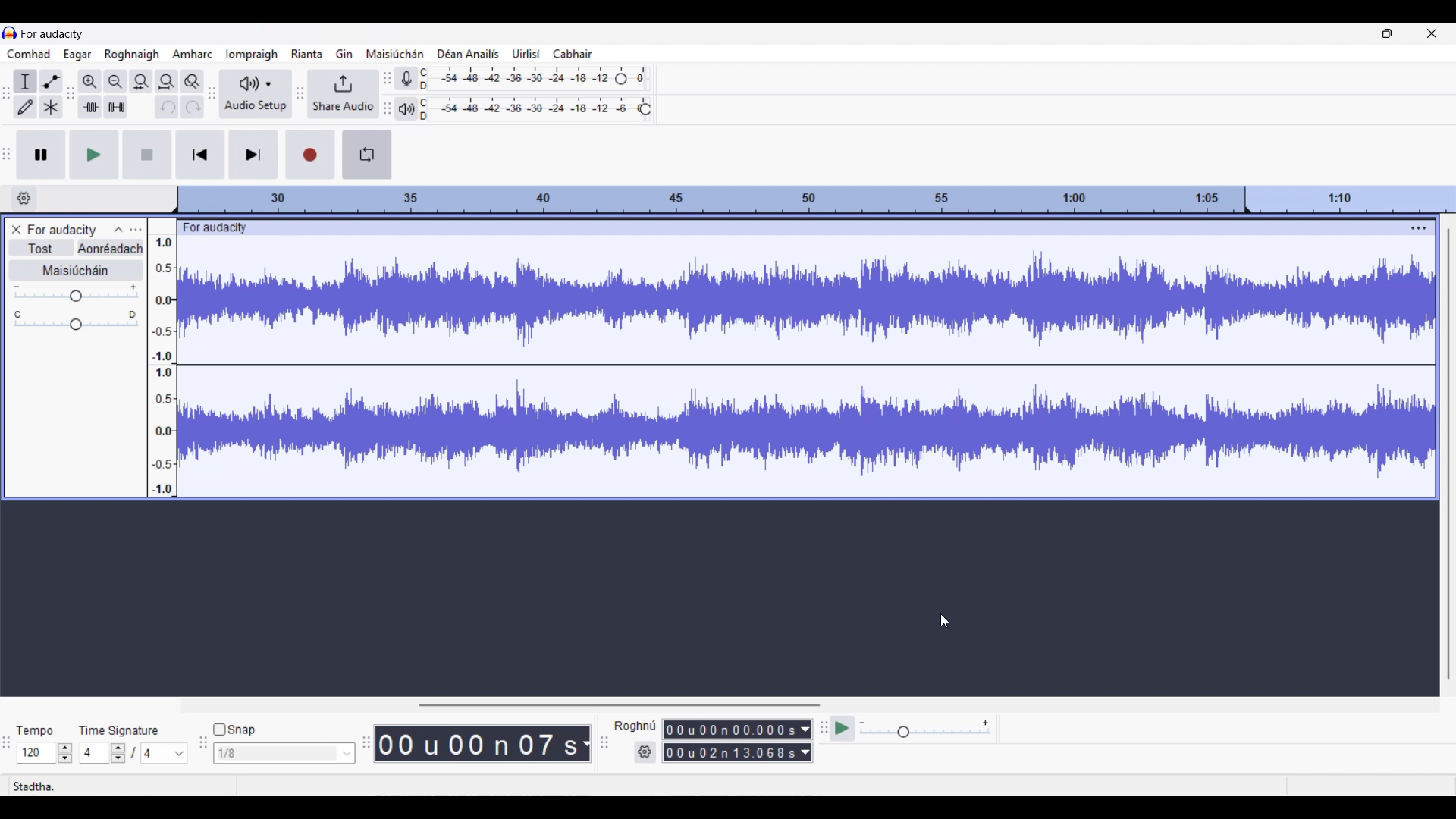 This screenshot has height=819, width=1456. I want to click on Fit selection to width, so click(141, 82).